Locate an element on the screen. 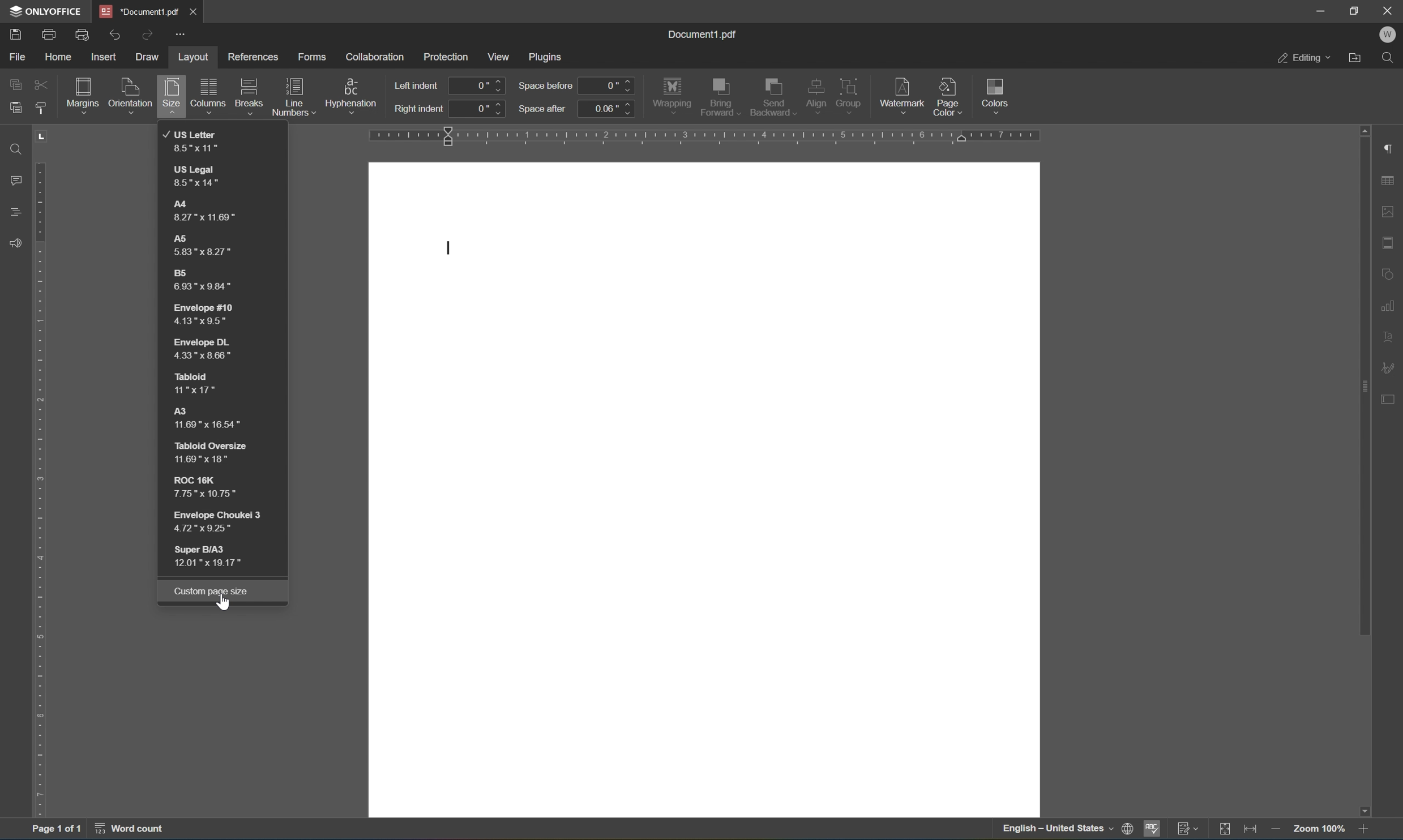  breaks is located at coordinates (249, 91).